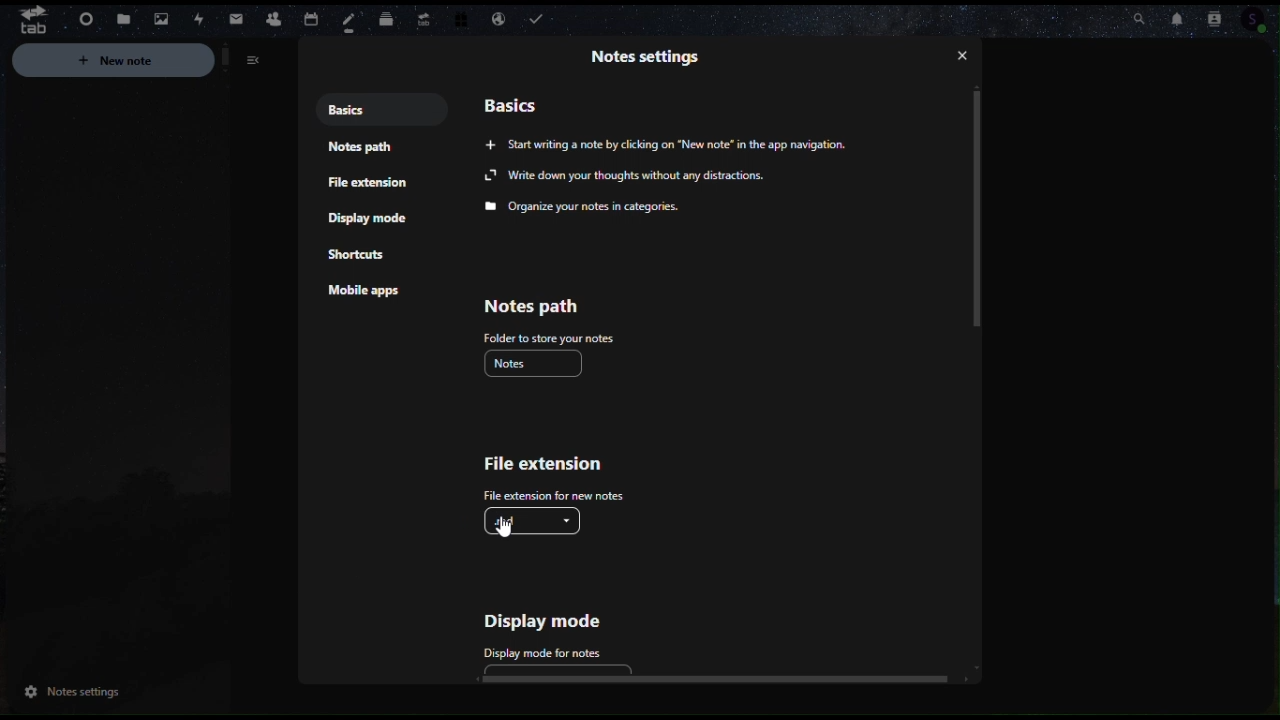 This screenshot has height=720, width=1280. Describe the element at coordinates (648, 54) in the screenshot. I see `Note setting` at that location.